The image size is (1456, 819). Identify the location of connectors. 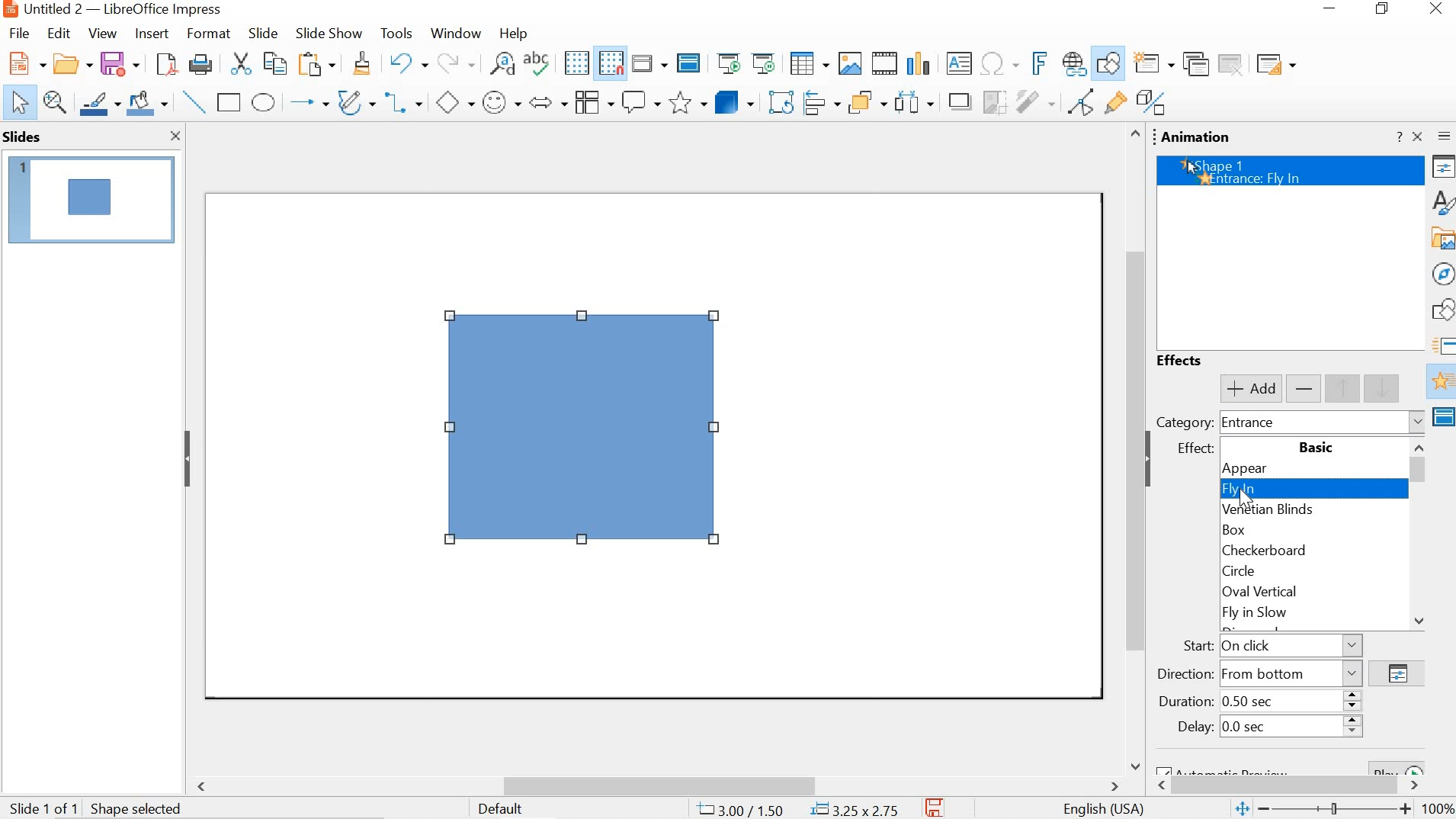
(402, 99).